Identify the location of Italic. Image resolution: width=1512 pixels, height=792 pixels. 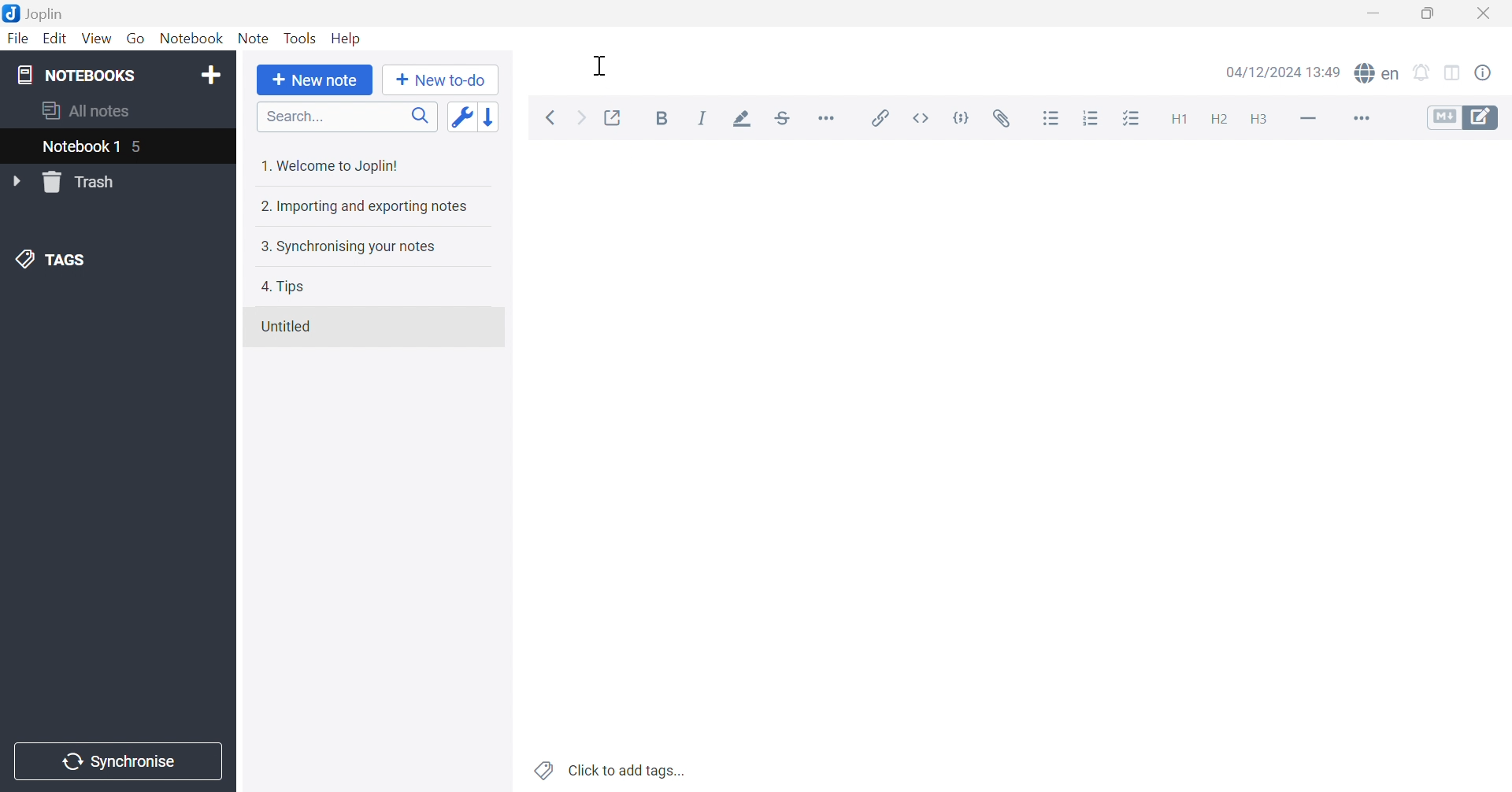
(702, 119).